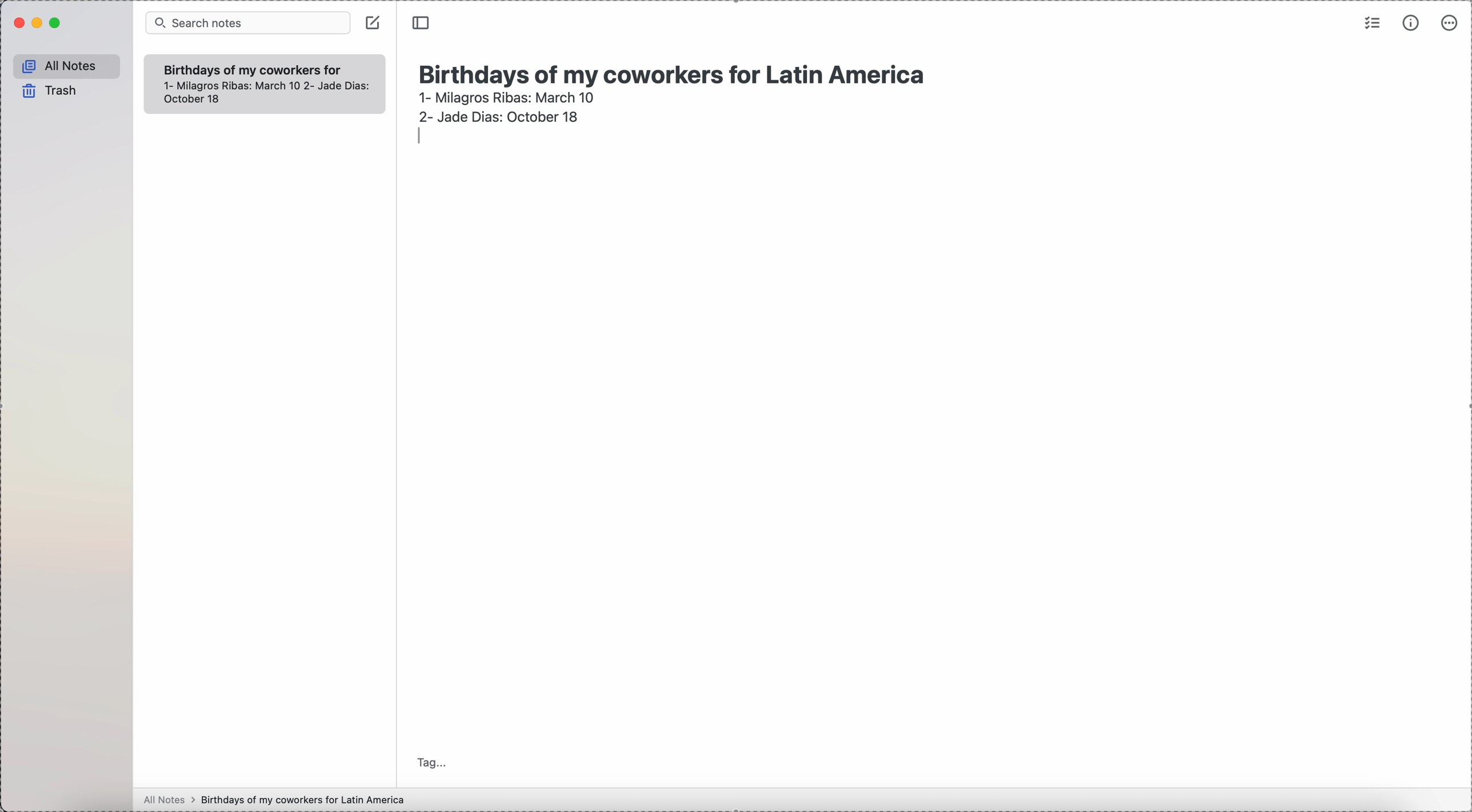 Image resolution: width=1472 pixels, height=812 pixels. I want to click on 1- Milagros Ribas: March 10 2- Jade Dias: October 18, so click(266, 94).